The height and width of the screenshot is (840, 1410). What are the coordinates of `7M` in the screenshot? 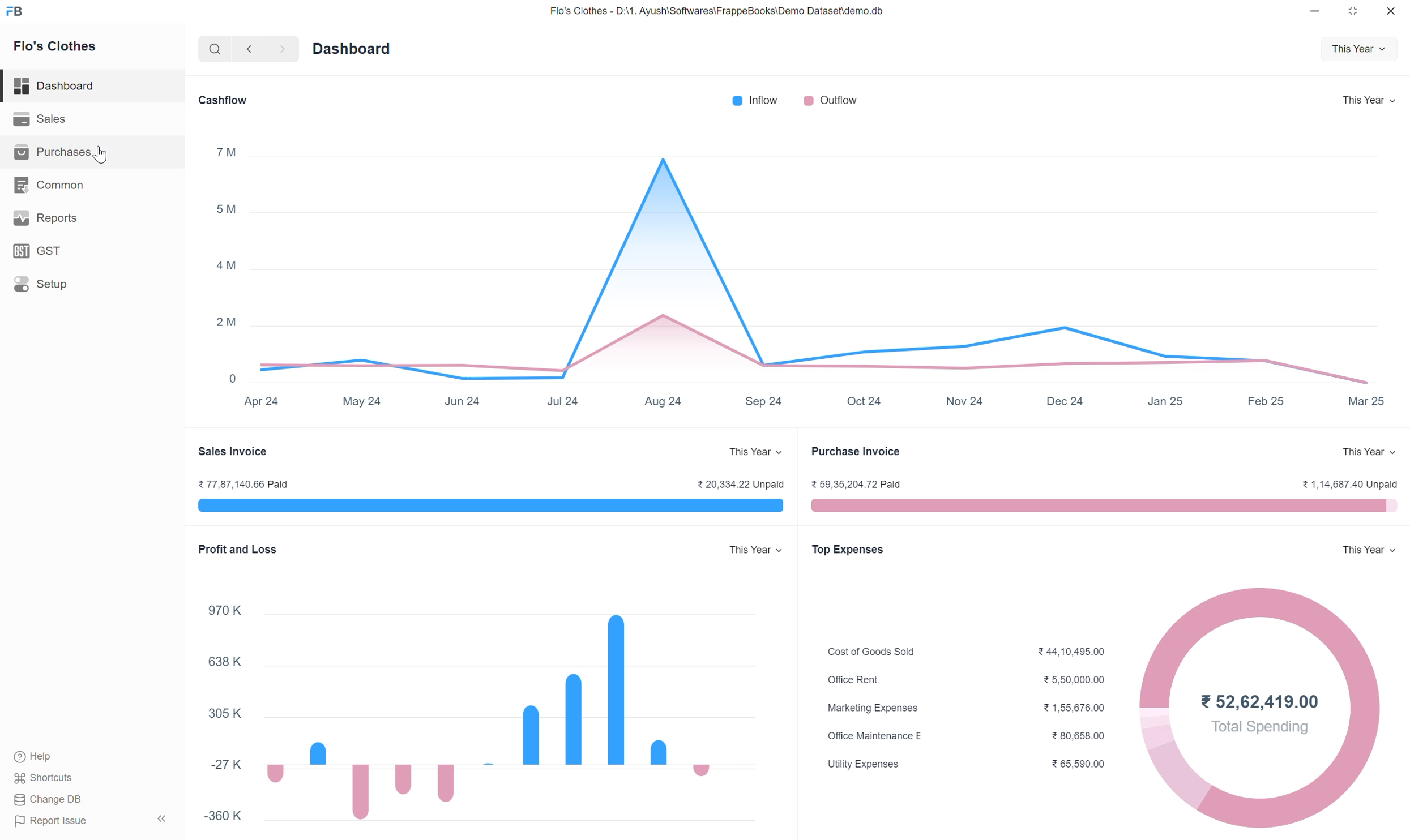 It's located at (225, 152).